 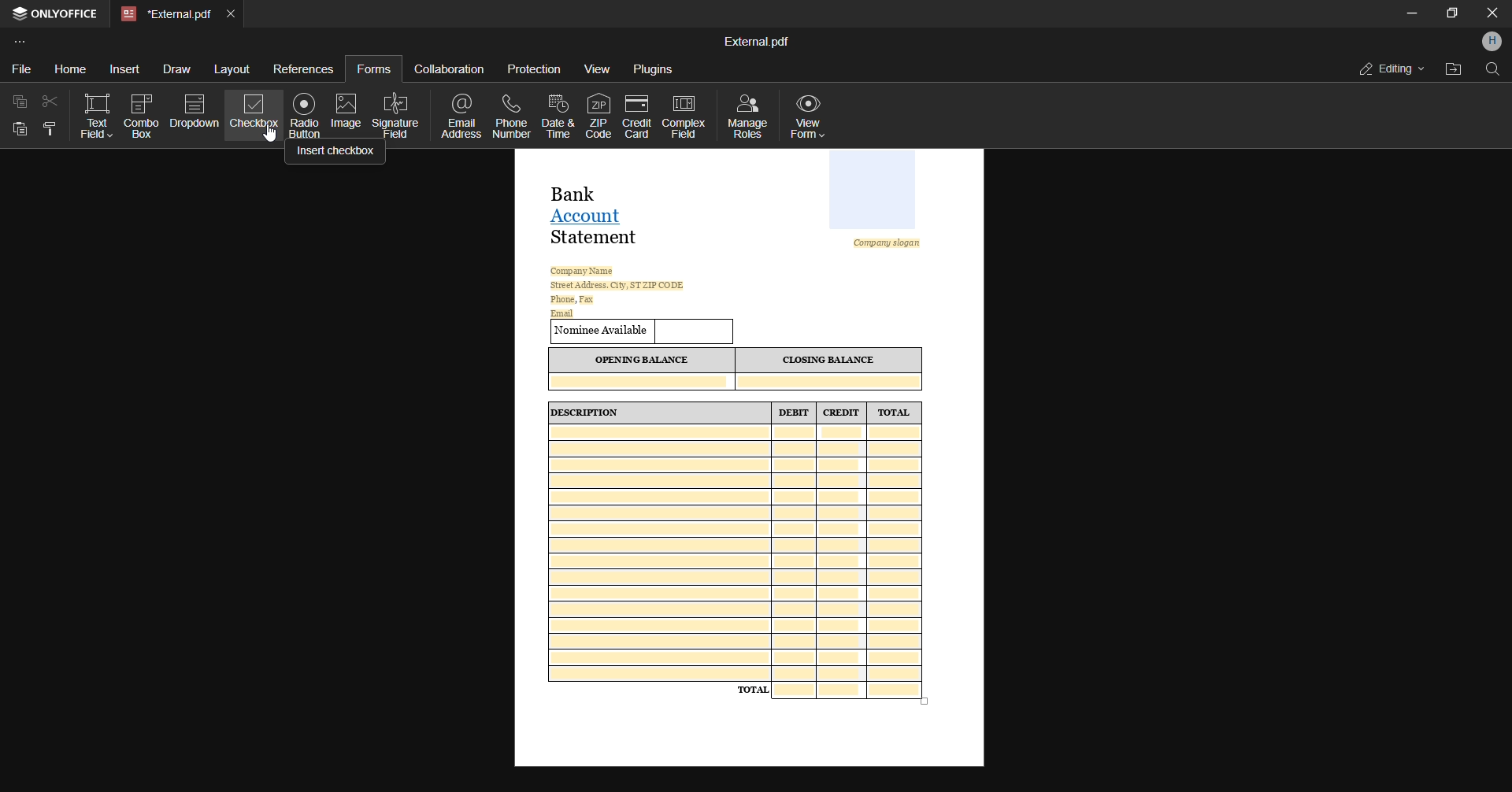 I want to click on text box, so click(x=94, y=117).